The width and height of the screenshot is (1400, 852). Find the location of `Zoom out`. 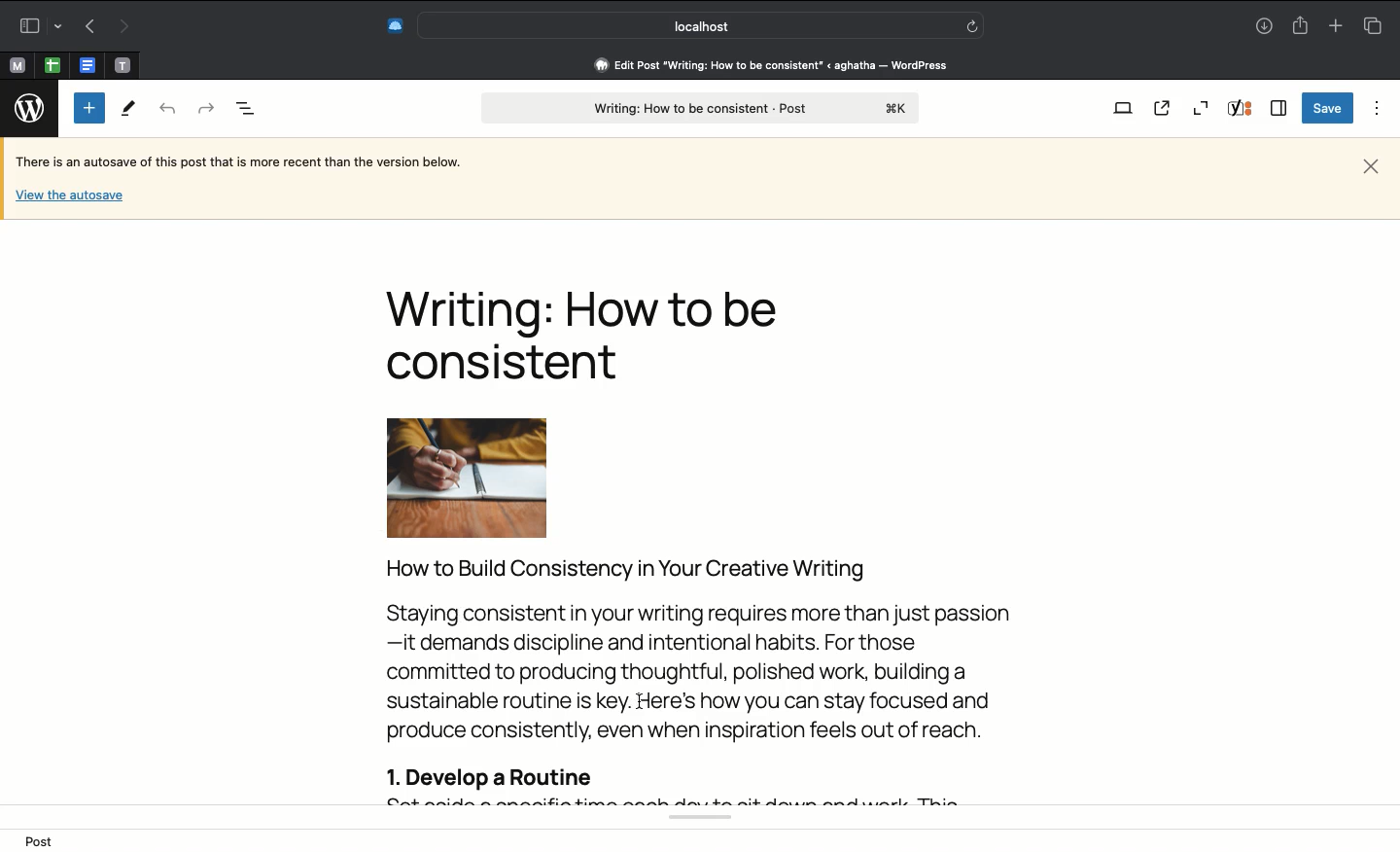

Zoom out is located at coordinates (1201, 108).